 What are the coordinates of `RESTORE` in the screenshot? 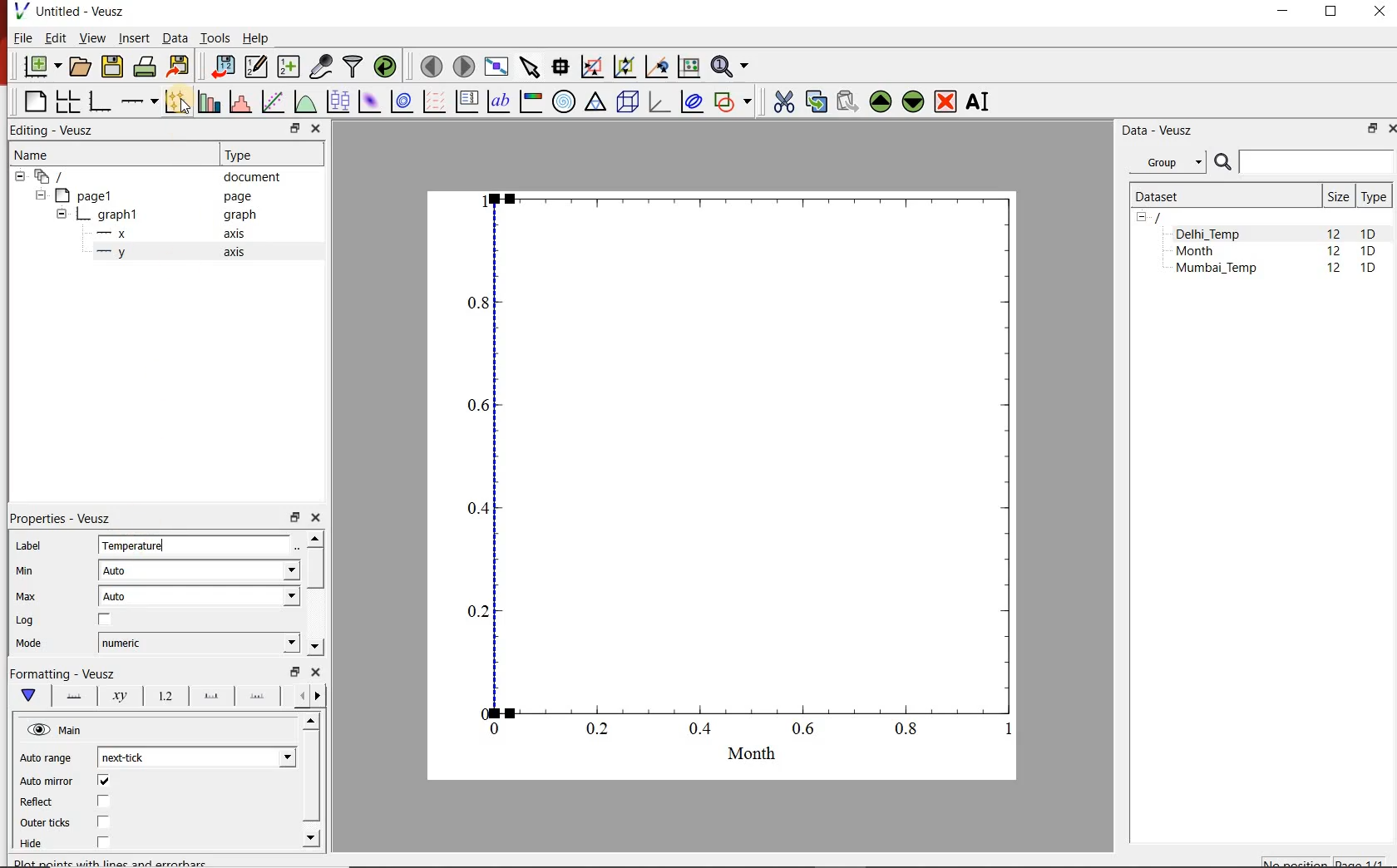 It's located at (1373, 129).